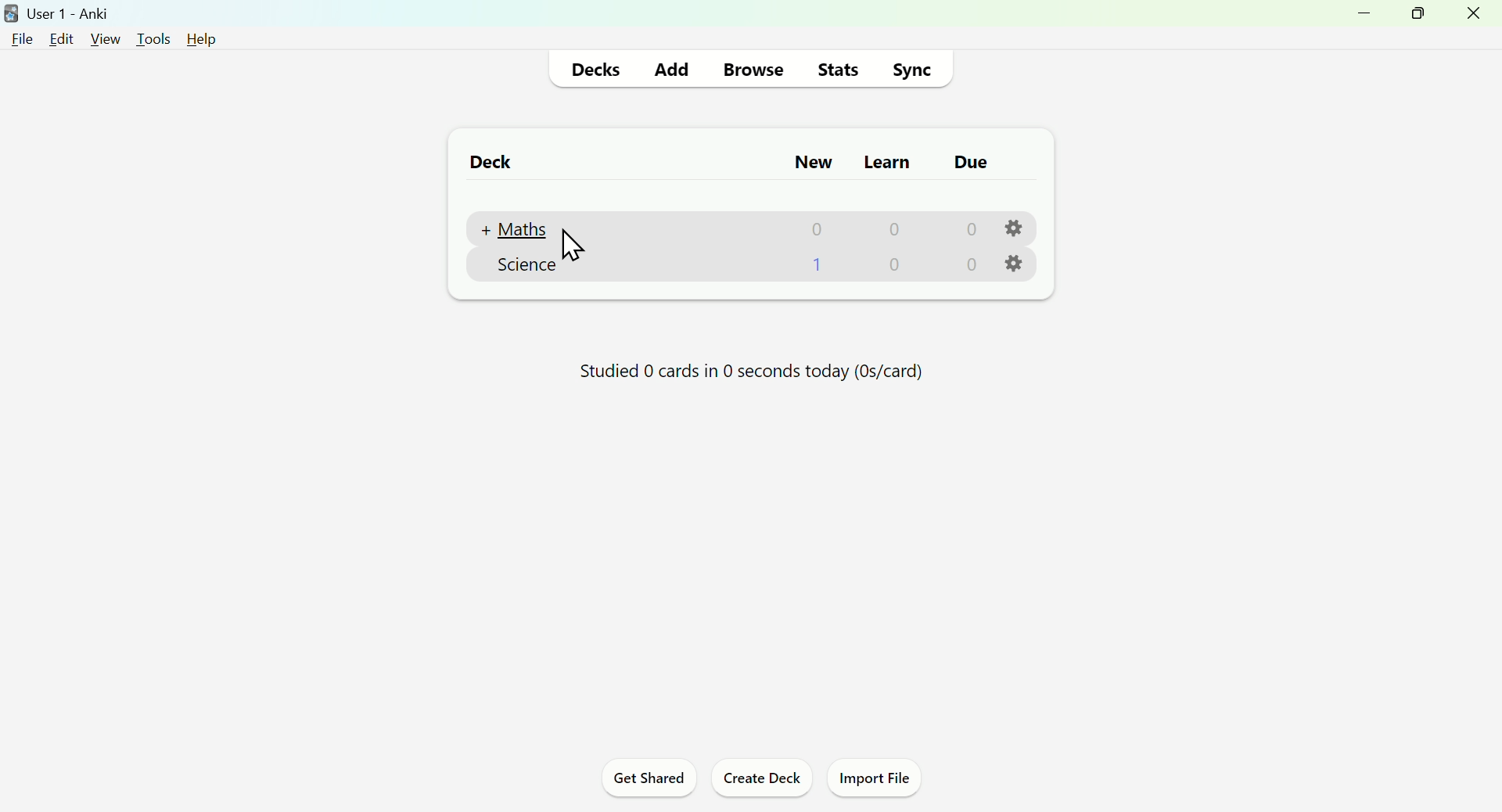 Image resolution: width=1502 pixels, height=812 pixels. Describe the element at coordinates (911, 70) in the screenshot. I see `Sync` at that location.